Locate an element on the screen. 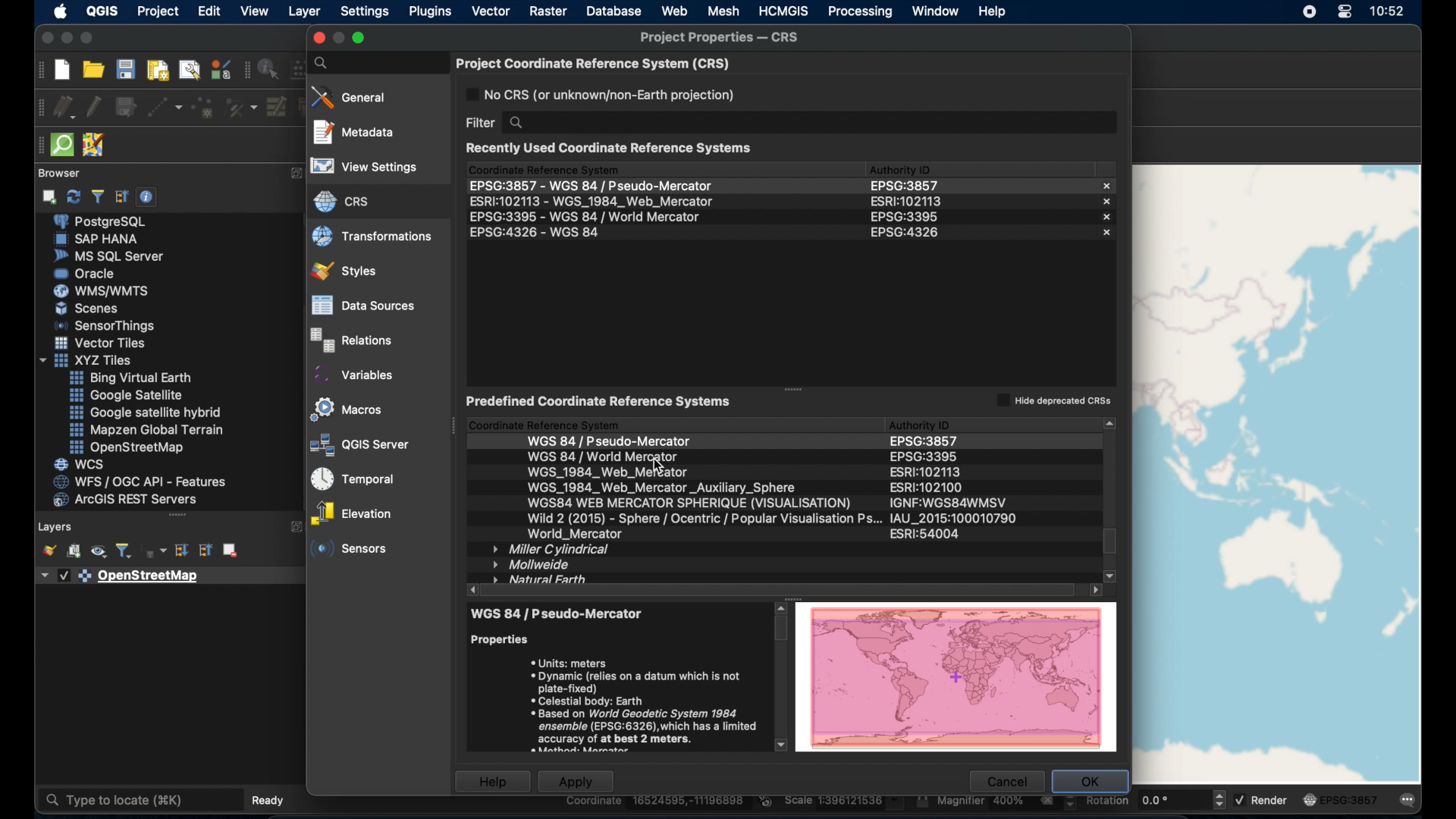 The image size is (1456, 819). new print layout is located at coordinates (157, 72).